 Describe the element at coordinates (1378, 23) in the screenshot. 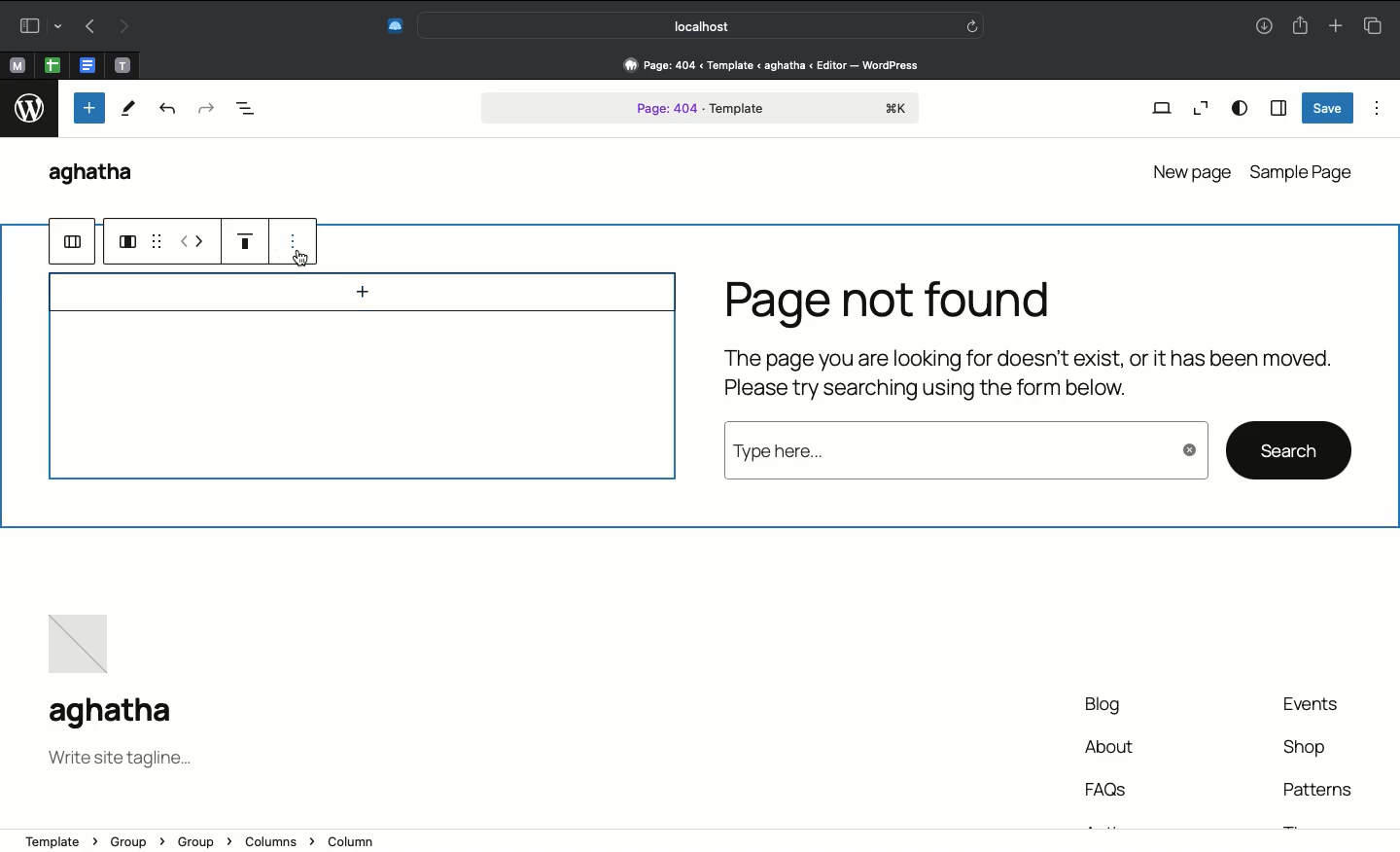

I see `Tabs` at that location.